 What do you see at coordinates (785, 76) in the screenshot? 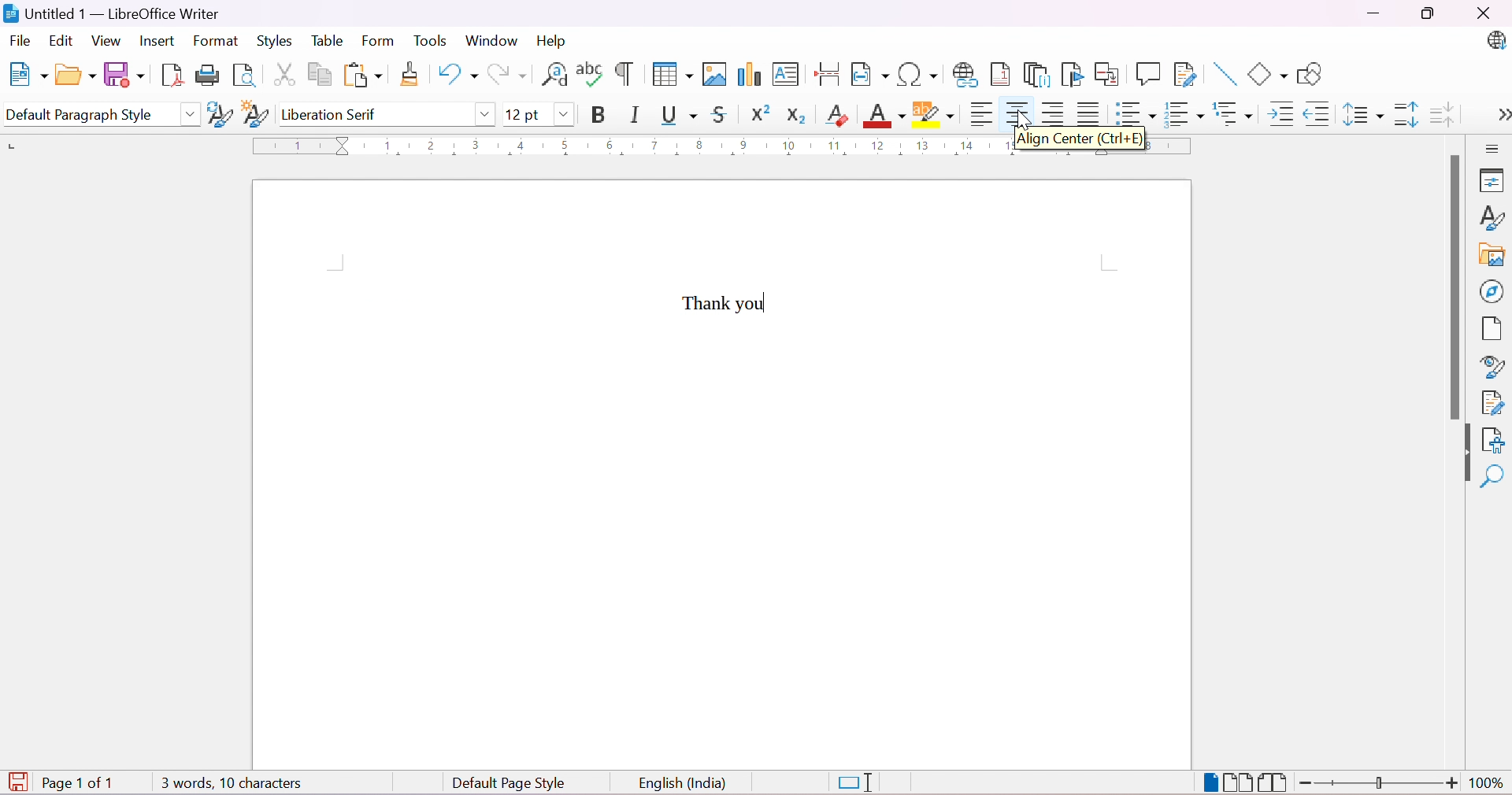
I see `Insert Text Box` at bounding box center [785, 76].